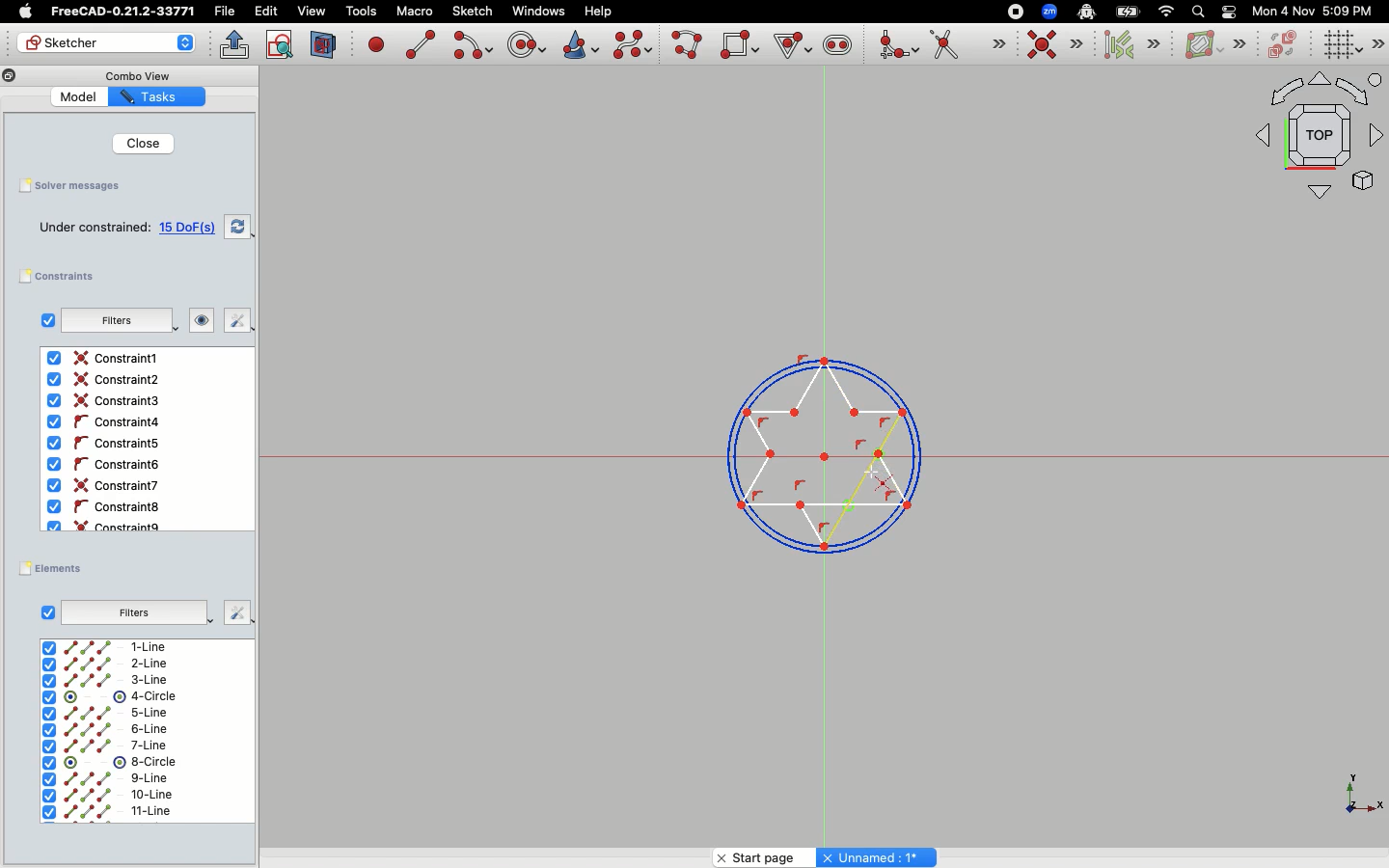 Image resolution: width=1389 pixels, height=868 pixels. I want to click on Macro, so click(413, 12).